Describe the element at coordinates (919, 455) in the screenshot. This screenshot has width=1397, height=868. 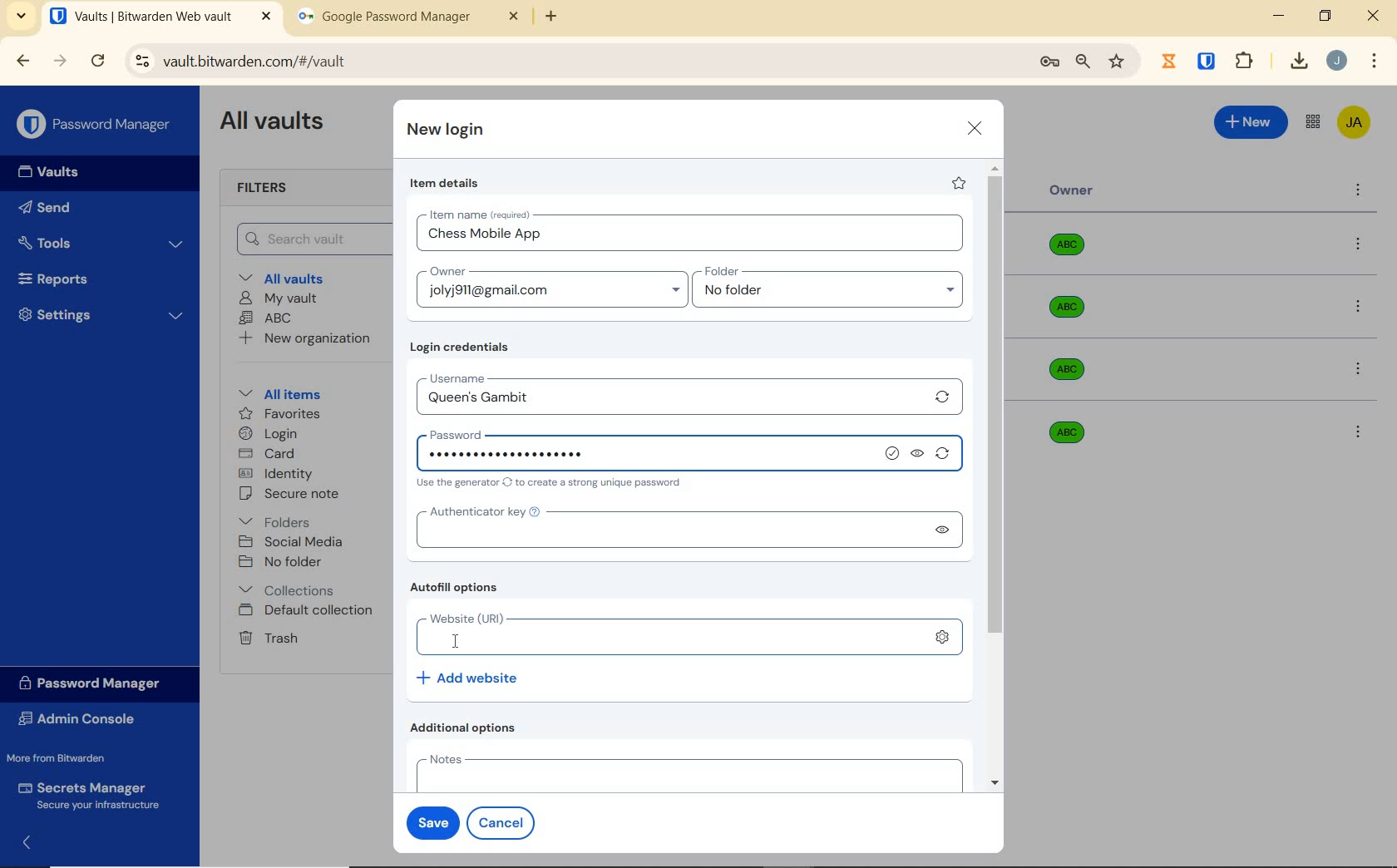
I see `unhide` at that location.